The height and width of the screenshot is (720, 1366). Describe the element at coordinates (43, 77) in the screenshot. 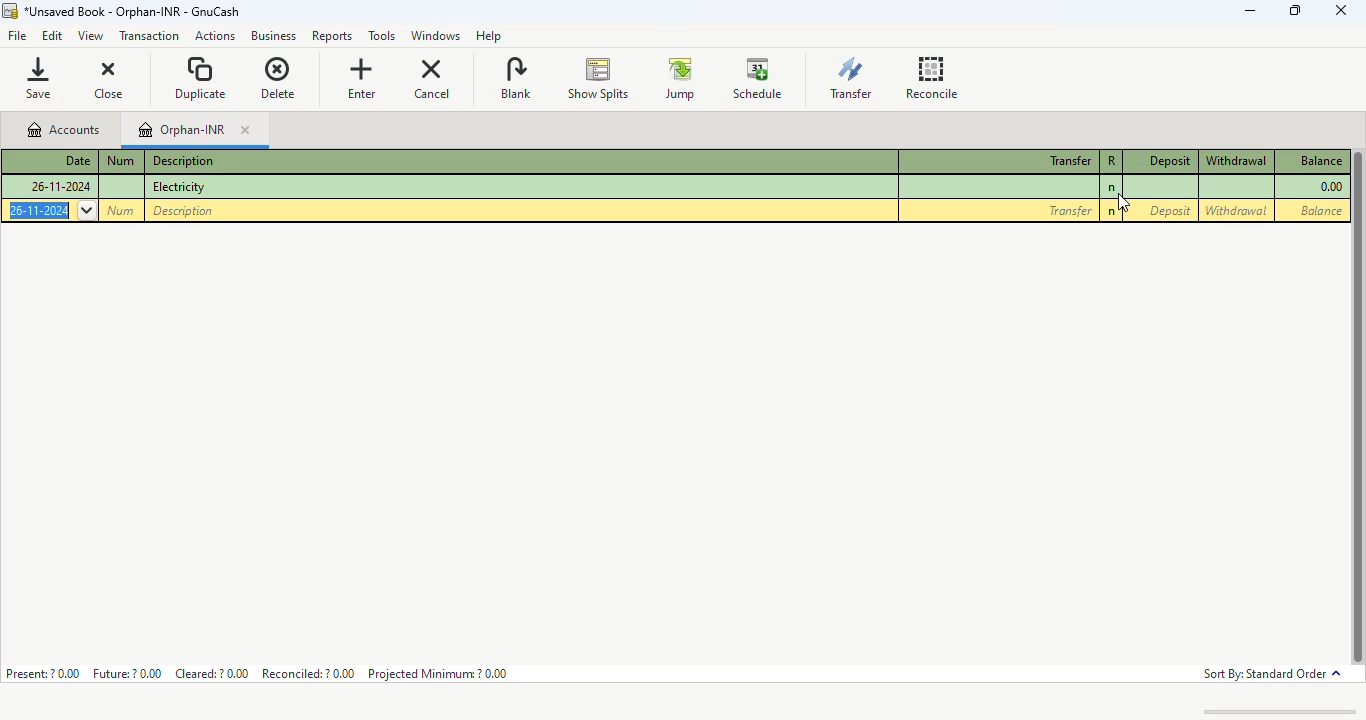

I see `save` at that location.